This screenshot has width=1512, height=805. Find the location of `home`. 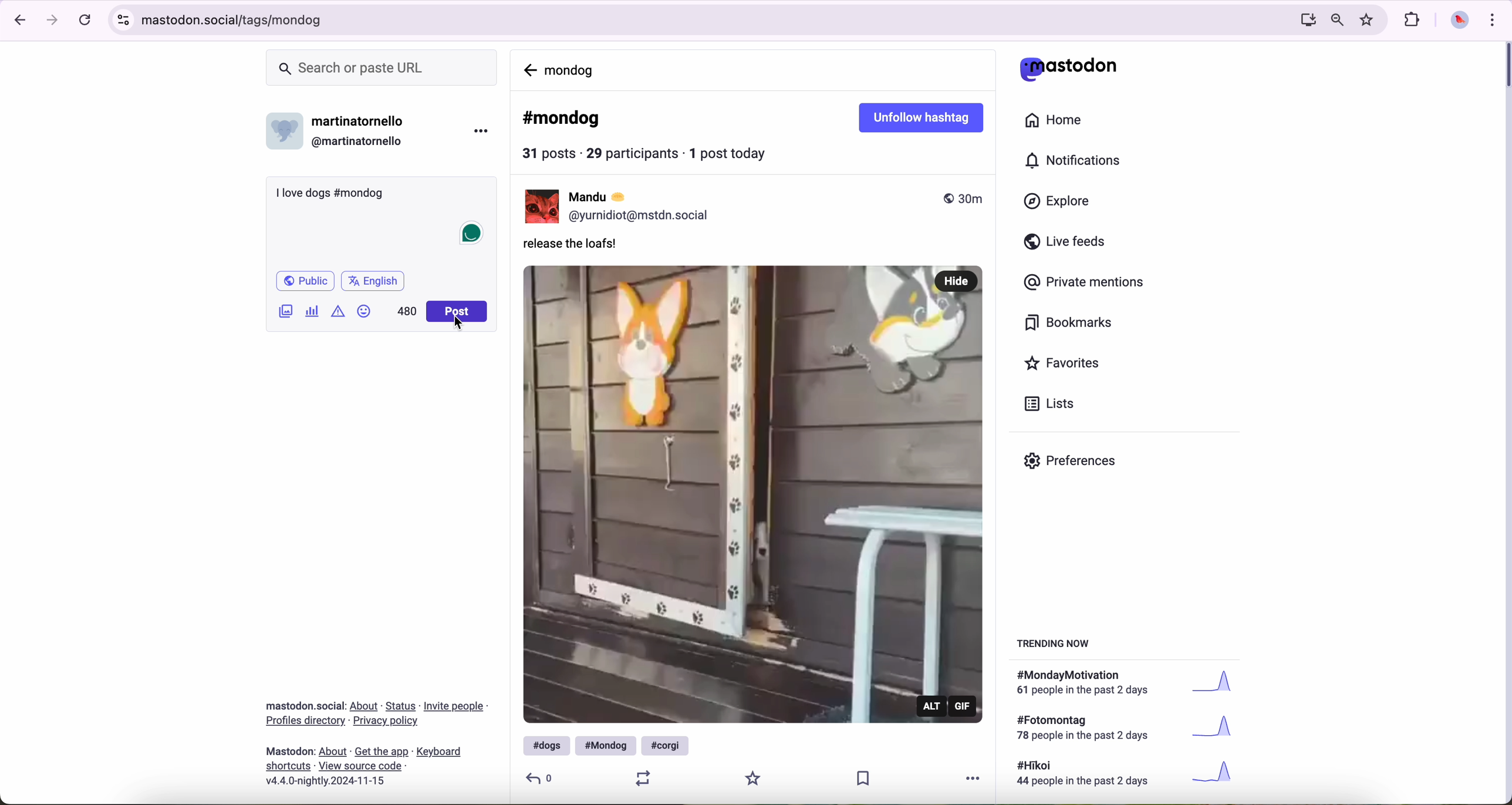

home is located at coordinates (1055, 119).